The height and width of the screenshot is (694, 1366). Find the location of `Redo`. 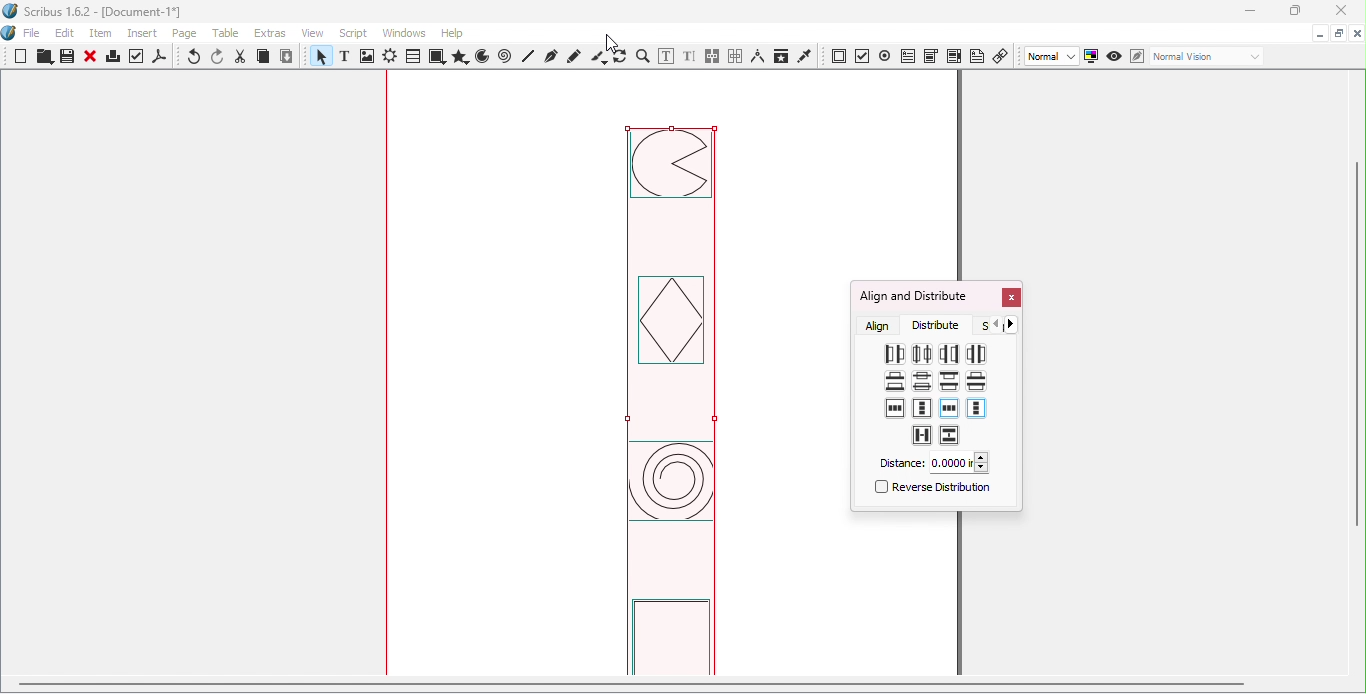

Redo is located at coordinates (219, 57).